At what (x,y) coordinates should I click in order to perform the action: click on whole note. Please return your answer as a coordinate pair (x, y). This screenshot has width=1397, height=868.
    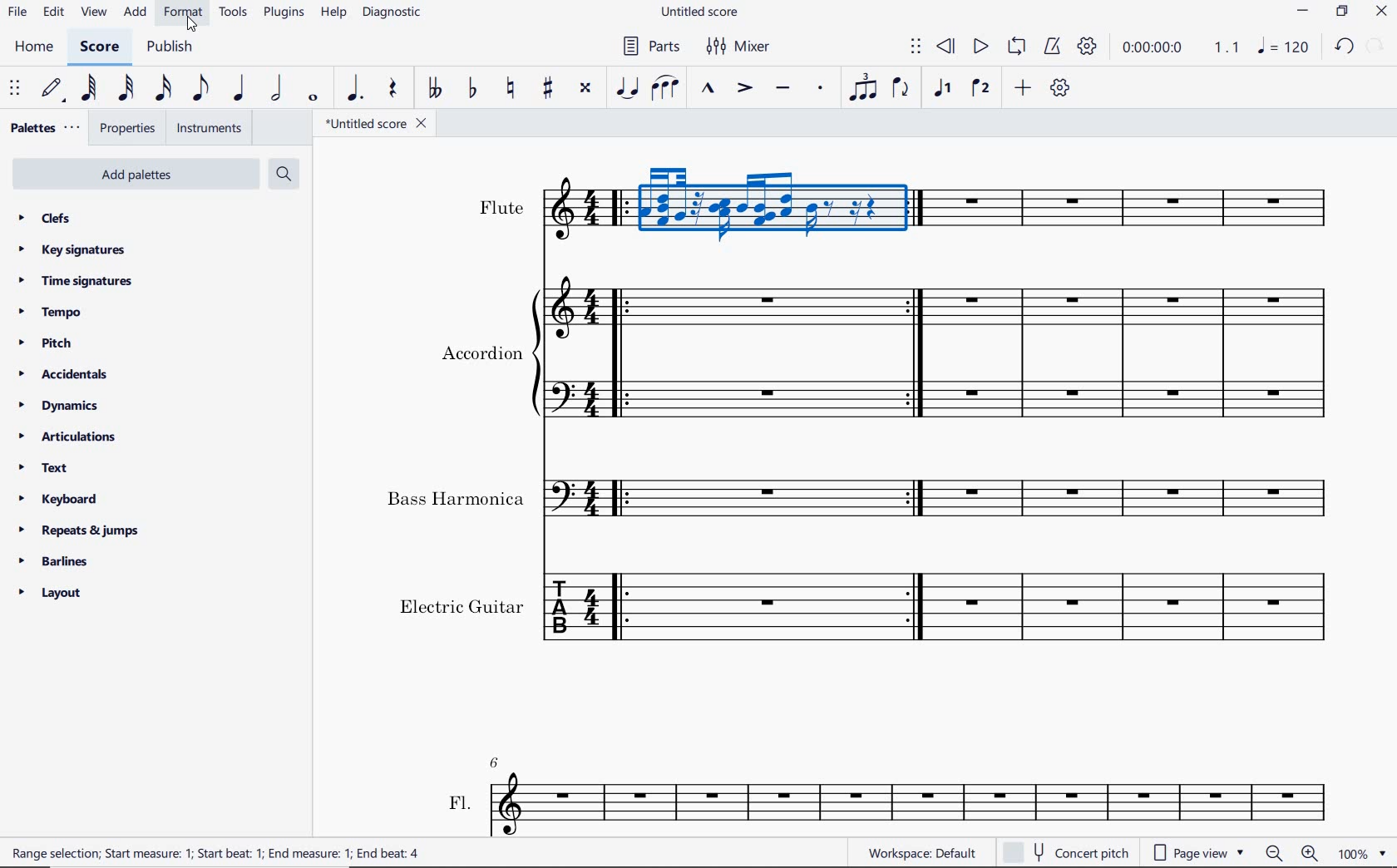
    Looking at the image, I should click on (313, 98).